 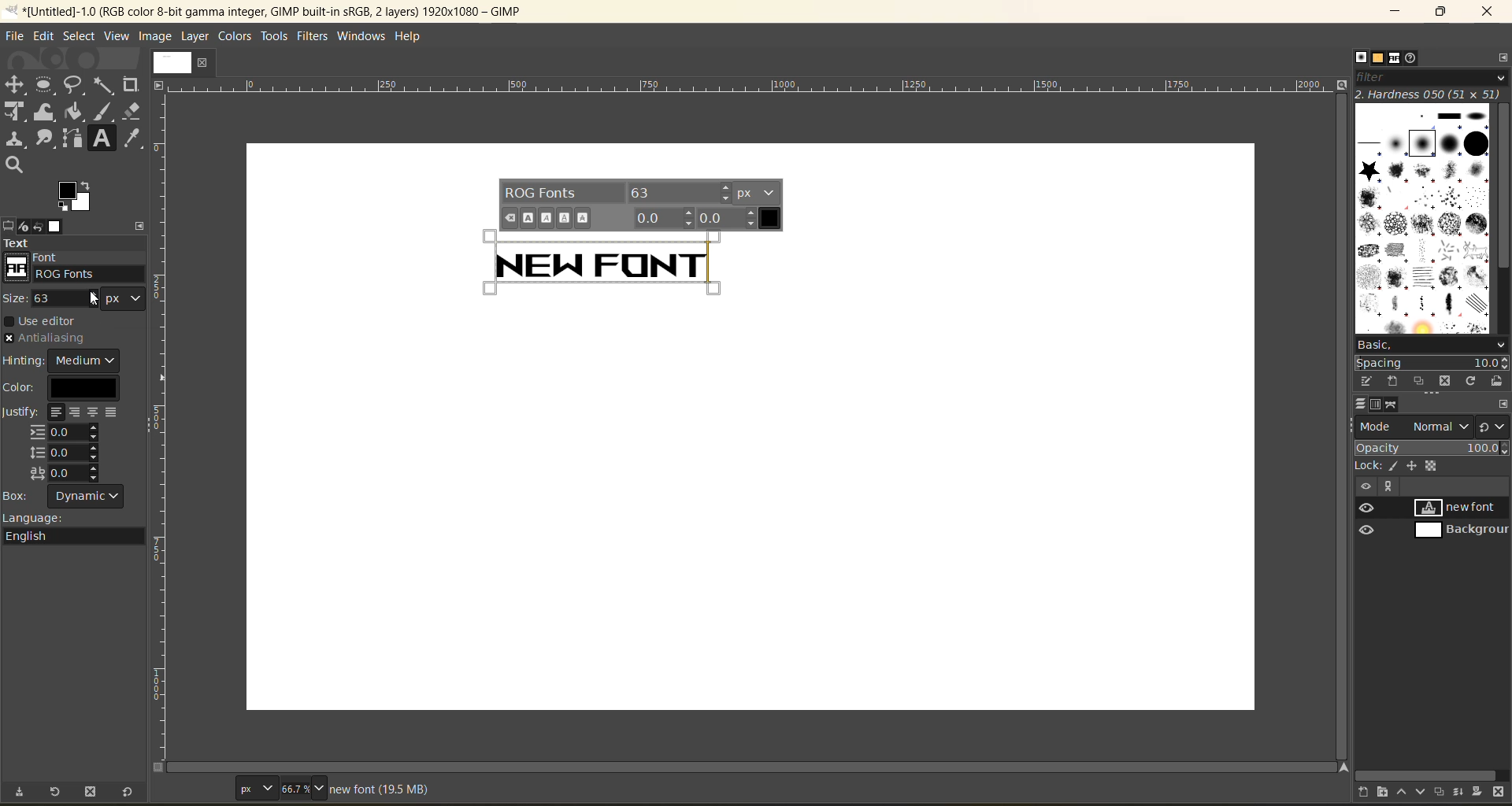 What do you see at coordinates (143, 225) in the screenshot?
I see `configure` at bounding box center [143, 225].